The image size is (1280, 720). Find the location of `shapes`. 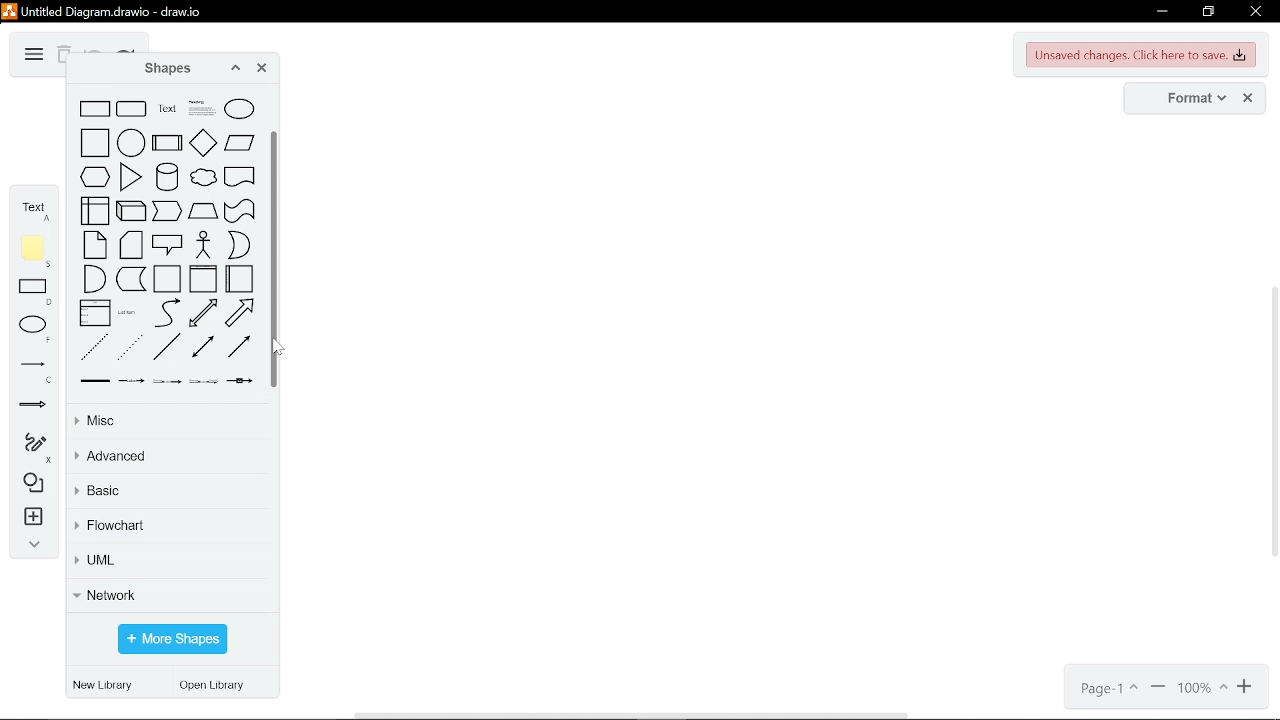

shapes is located at coordinates (162, 69).